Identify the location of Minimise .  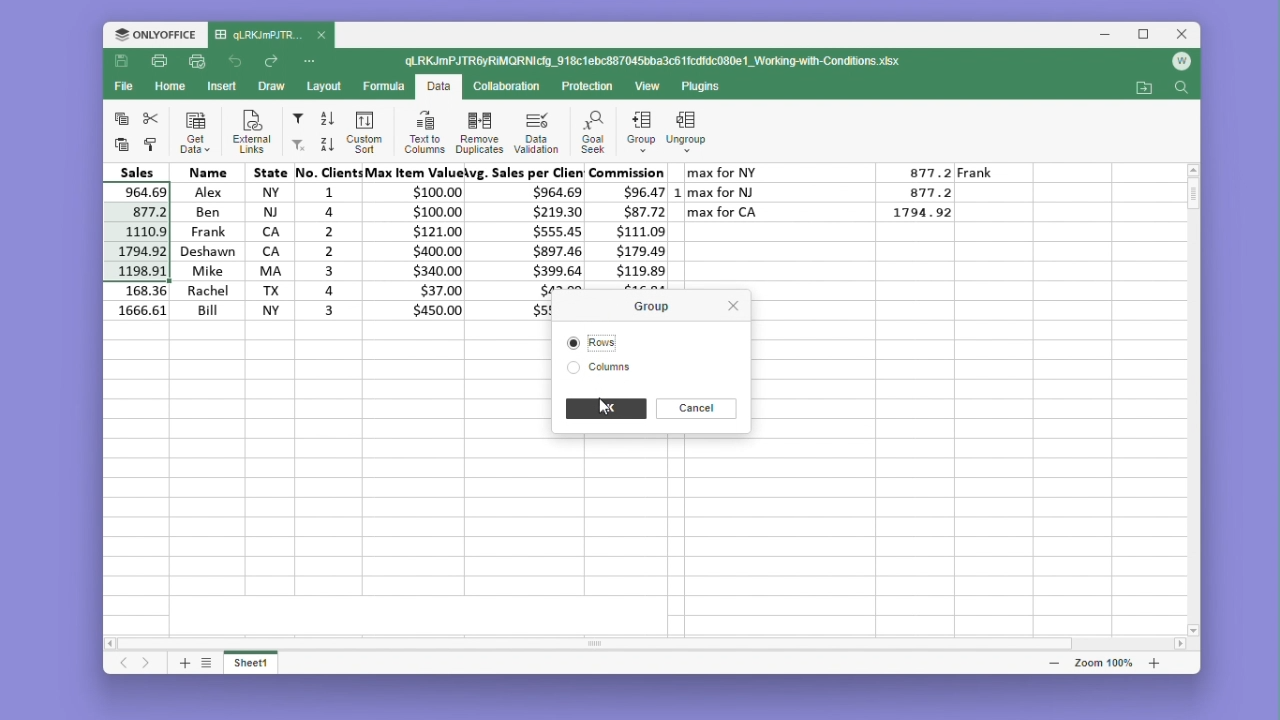
(1111, 35).